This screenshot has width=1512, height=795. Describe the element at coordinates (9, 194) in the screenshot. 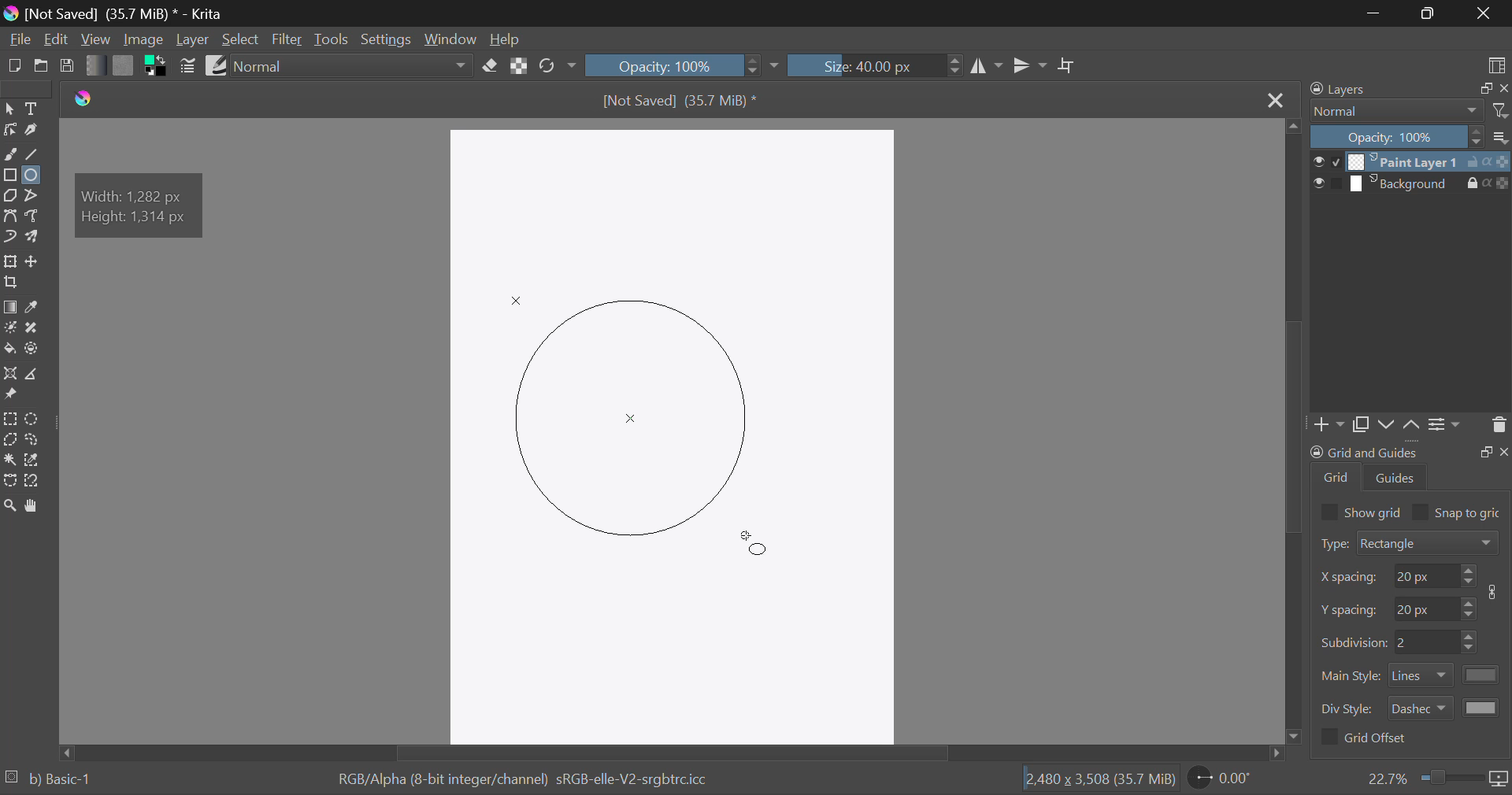

I see `Polygon` at that location.